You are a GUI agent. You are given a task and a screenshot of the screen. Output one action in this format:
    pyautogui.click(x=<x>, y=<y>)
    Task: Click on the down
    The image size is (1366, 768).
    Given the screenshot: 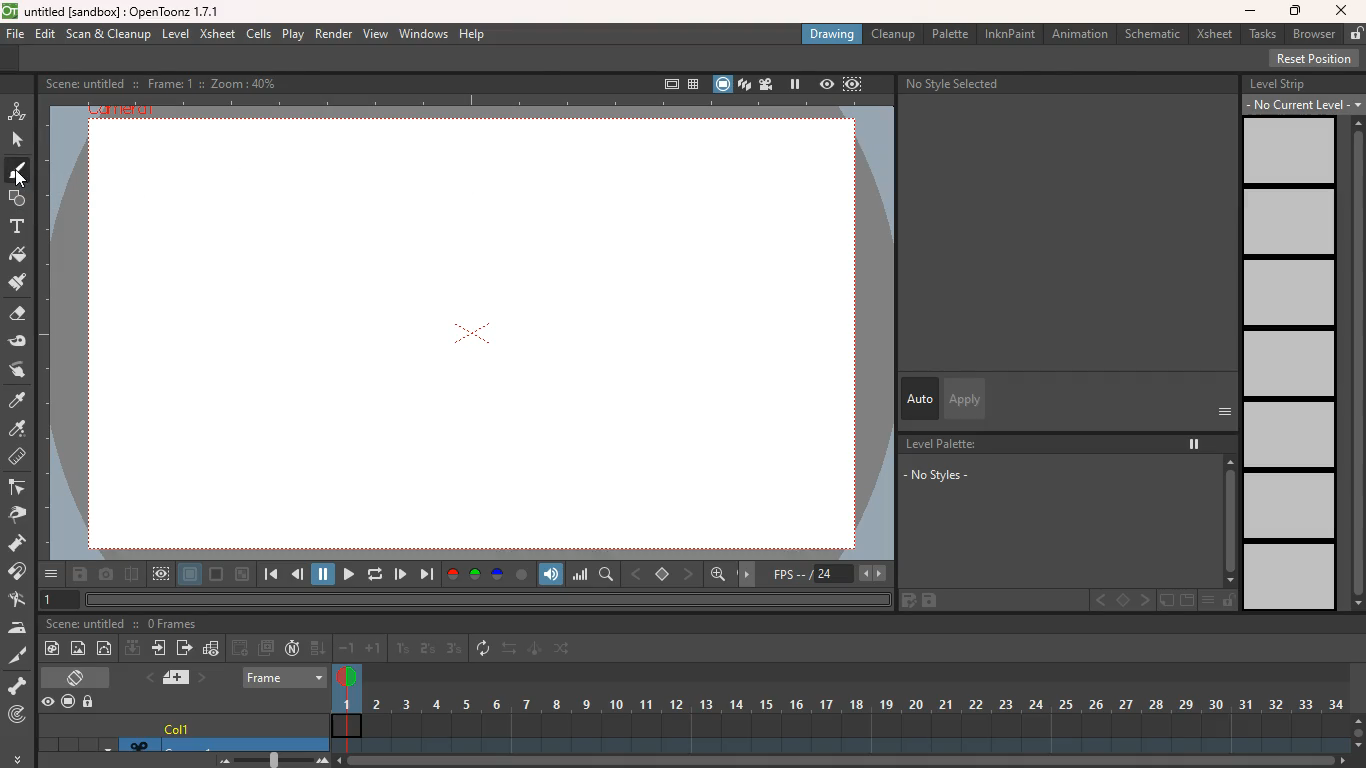 What is the action you would take?
    pyautogui.click(x=318, y=649)
    